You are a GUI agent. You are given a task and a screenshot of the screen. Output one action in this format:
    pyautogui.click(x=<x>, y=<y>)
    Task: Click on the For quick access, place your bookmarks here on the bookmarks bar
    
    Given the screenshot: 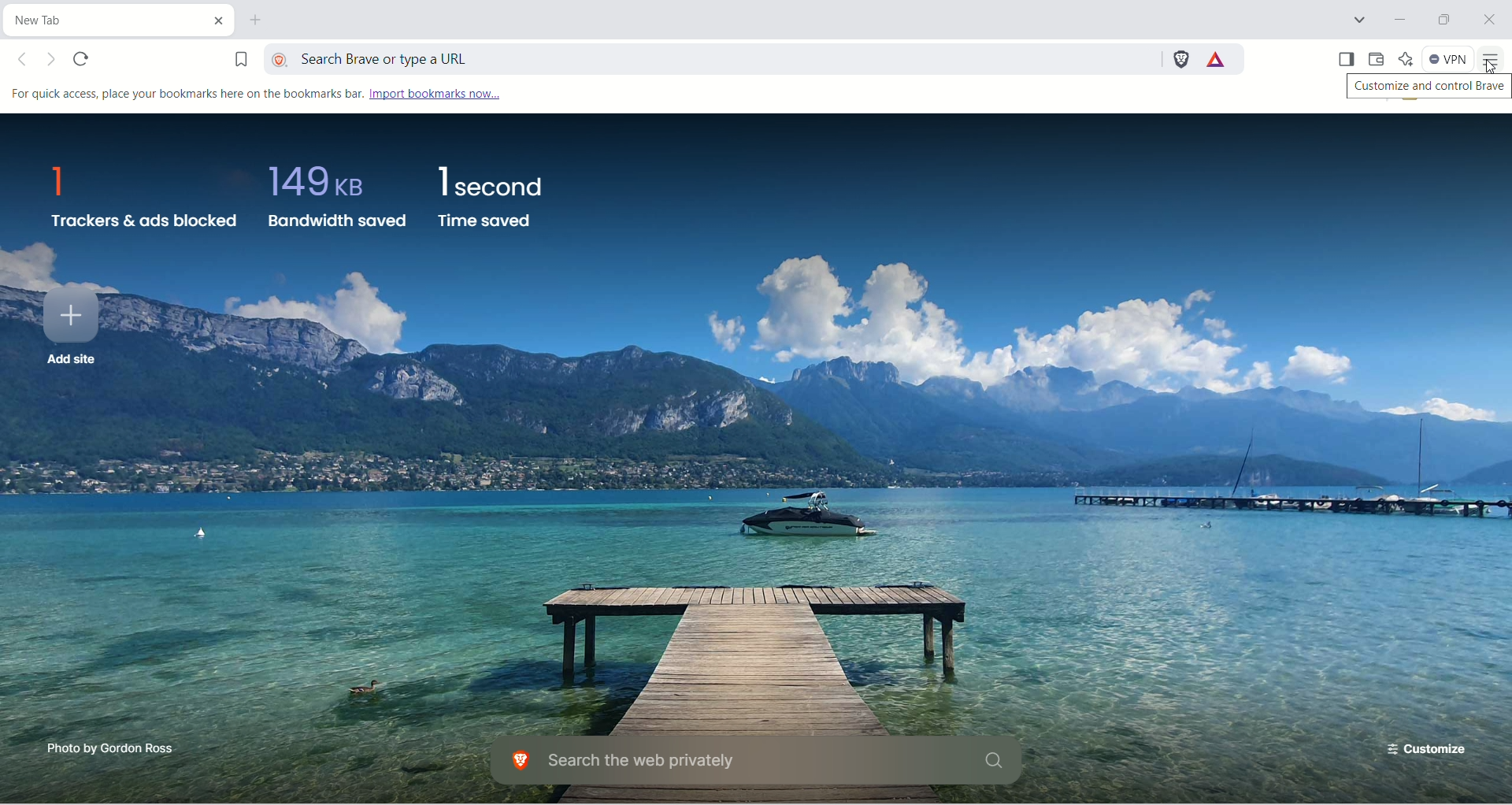 What is the action you would take?
    pyautogui.click(x=183, y=95)
    